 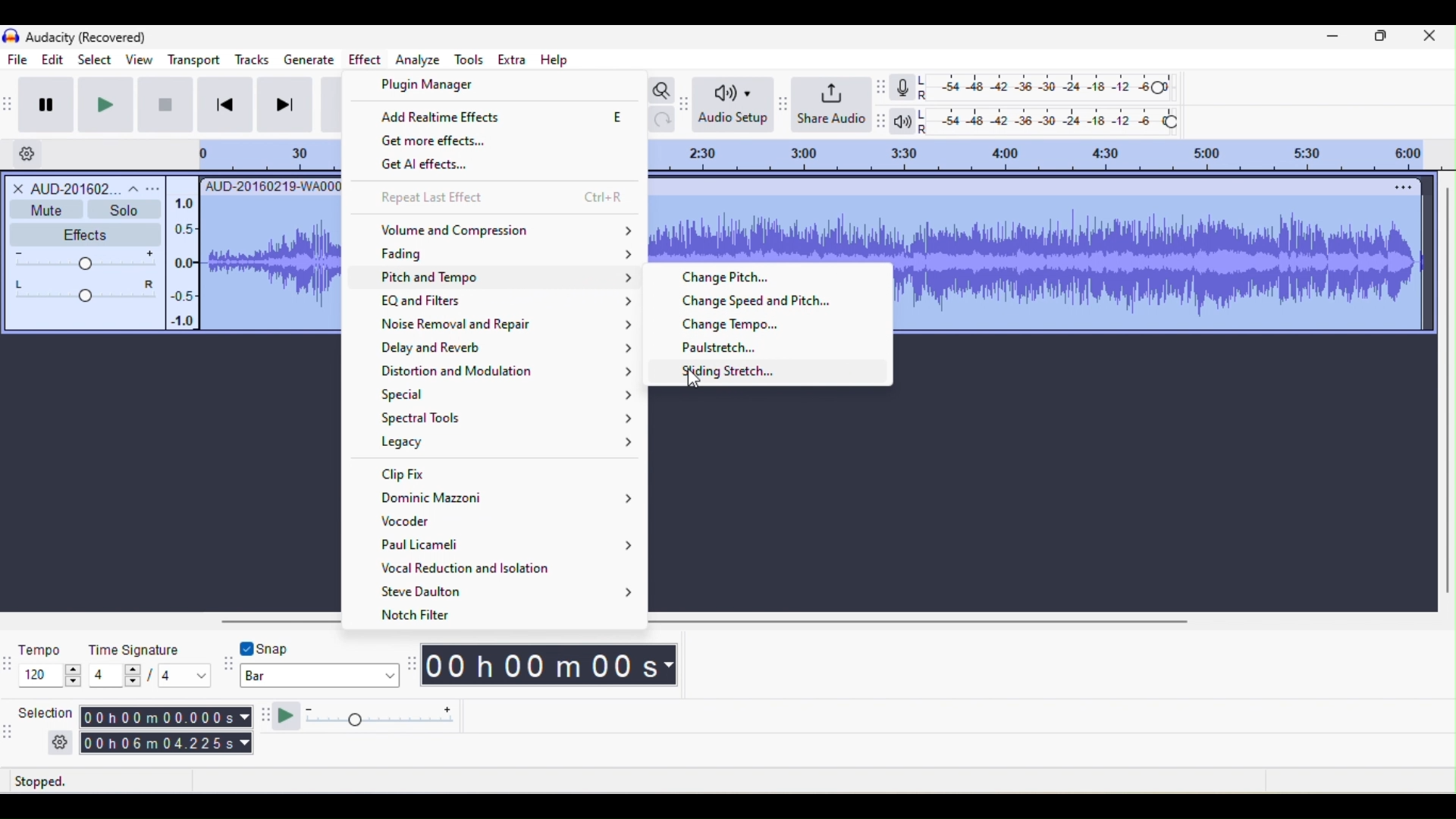 I want to click on spectral tools, so click(x=508, y=419).